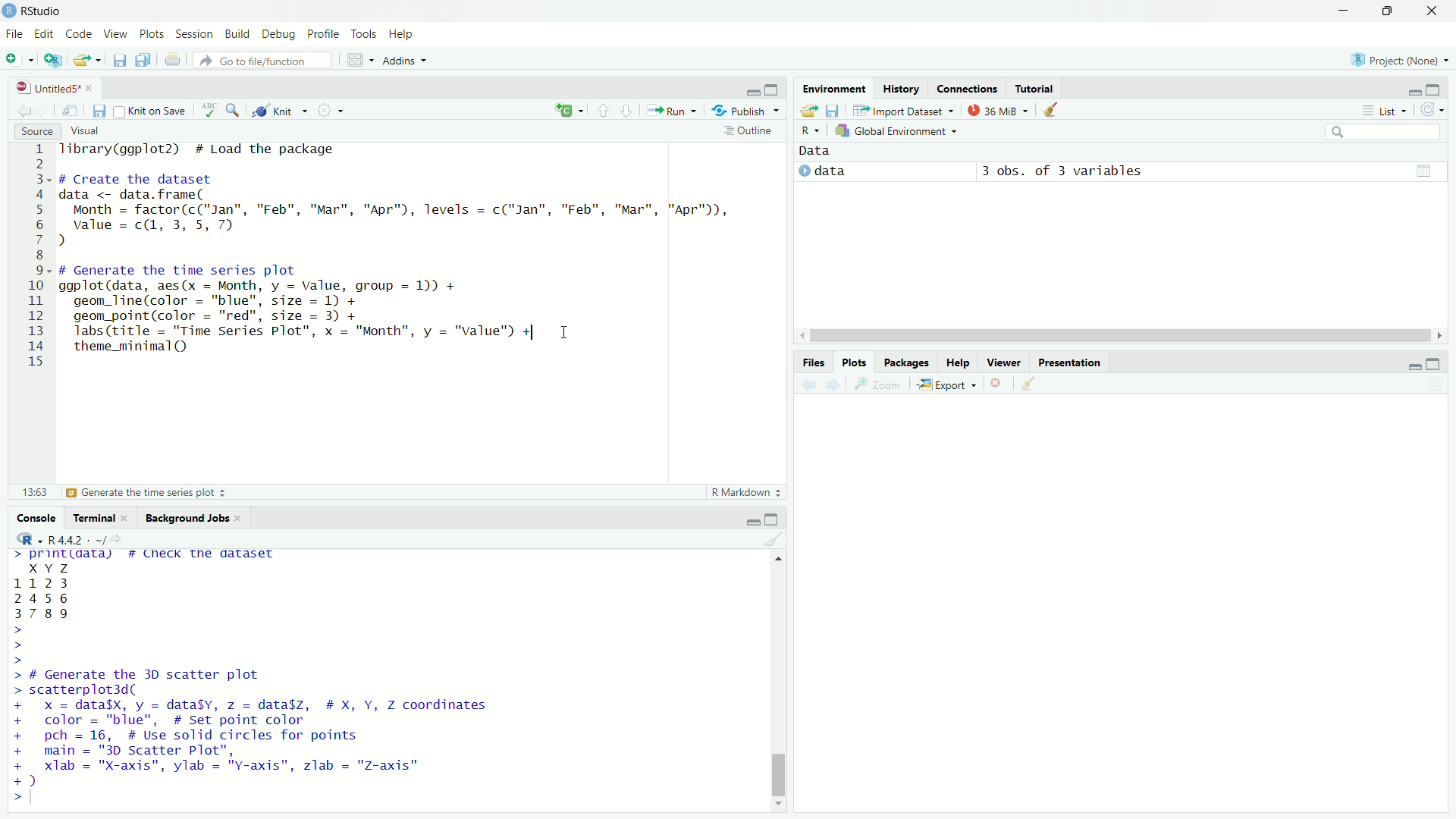 Image resolution: width=1456 pixels, height=819 pixels. I want to click on save current document, so click(120, 60).